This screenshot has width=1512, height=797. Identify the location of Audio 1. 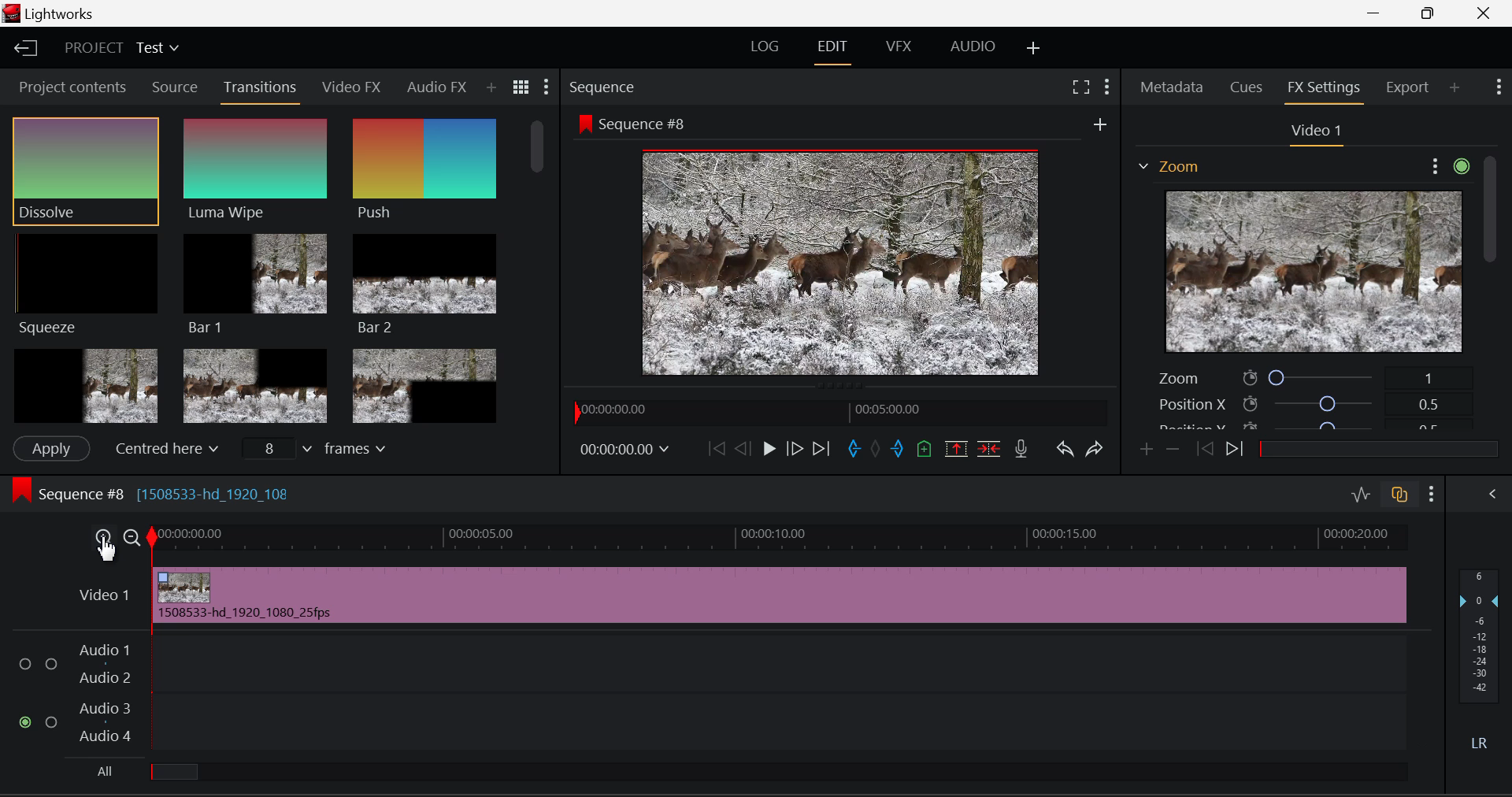
(106, 651).